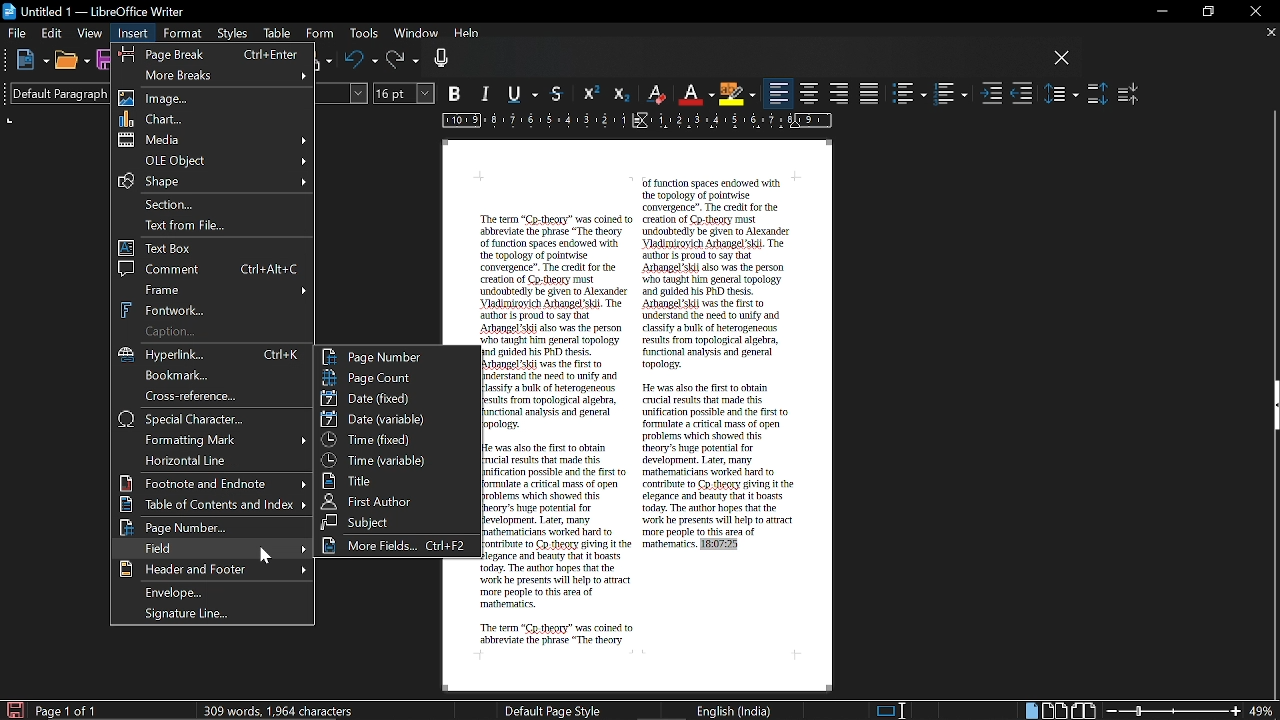  I want to click on Underline, so click(526, 95).